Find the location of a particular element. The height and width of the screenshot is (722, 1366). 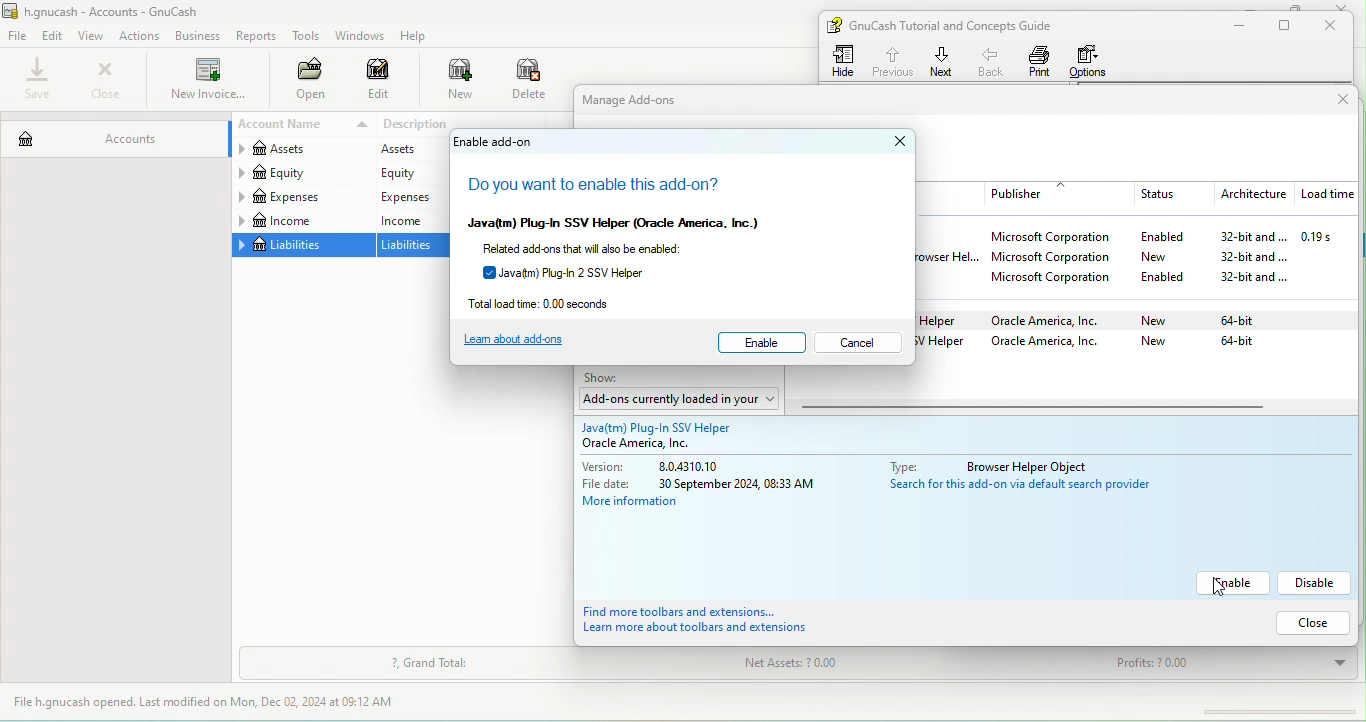

h. gnucash-accounts-gnu cash is located at coordinates (125, 10).